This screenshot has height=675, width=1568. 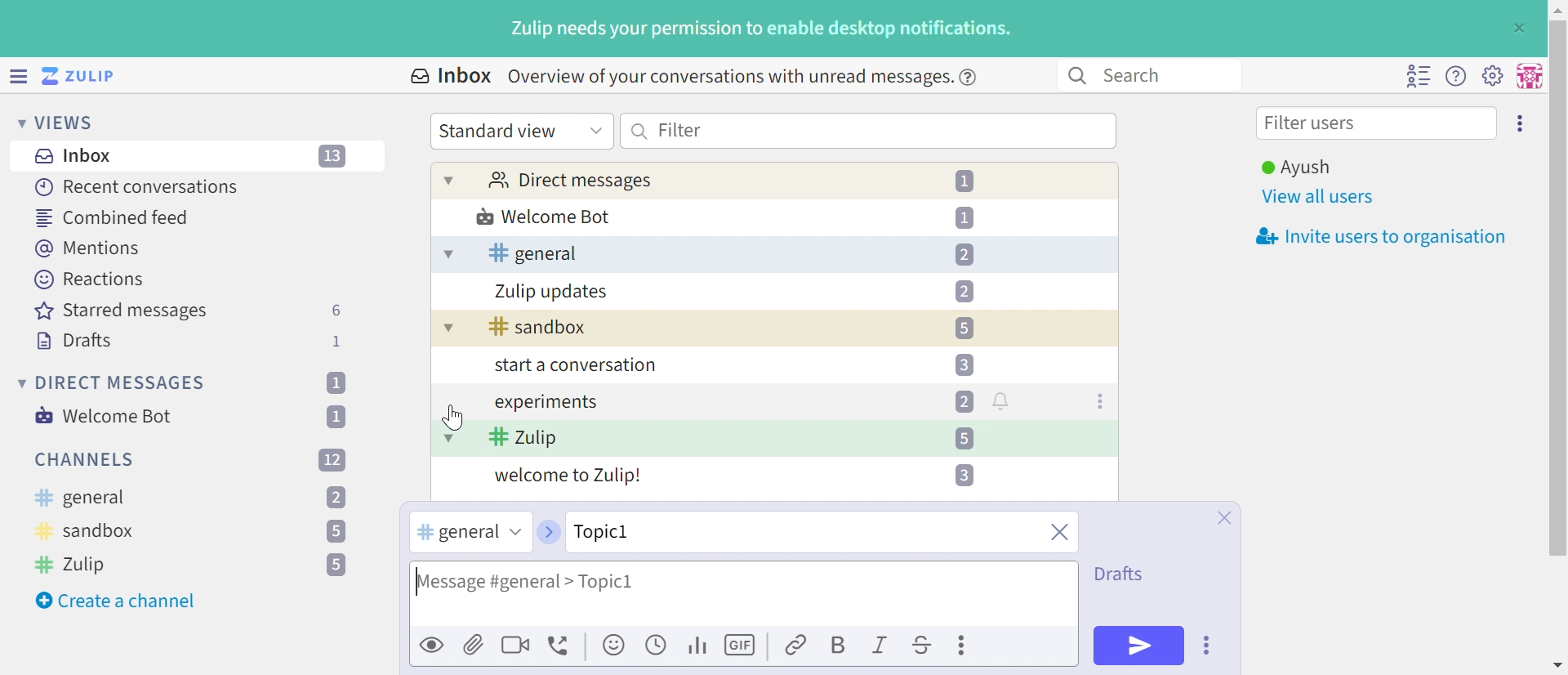 What do you see at coordinates (74, 342) in the screenshot?
I see `Drafts` at bounding box center [74, 342].